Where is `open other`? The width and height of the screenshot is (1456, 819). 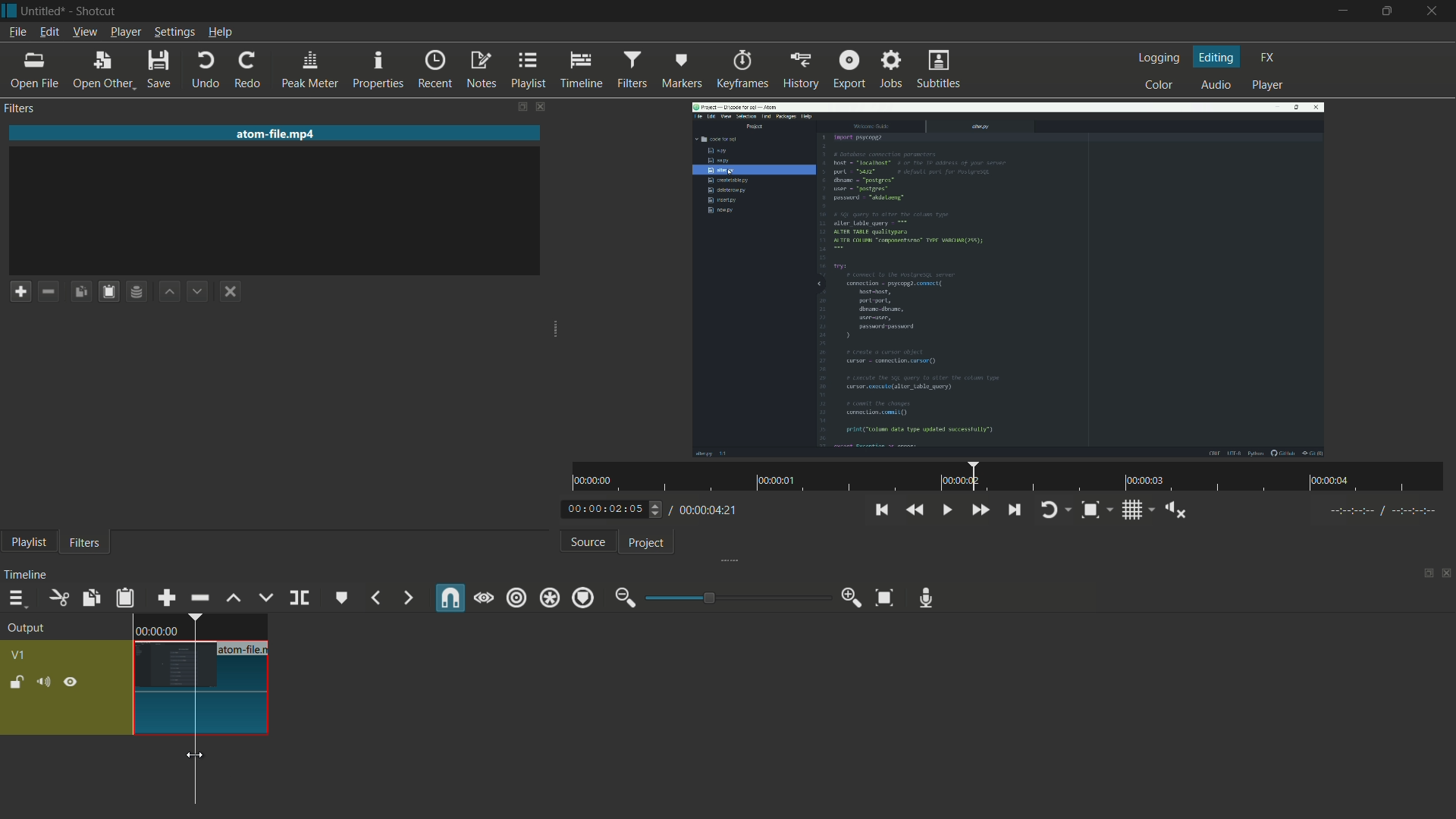 open other is located at coordinates (102, 71).